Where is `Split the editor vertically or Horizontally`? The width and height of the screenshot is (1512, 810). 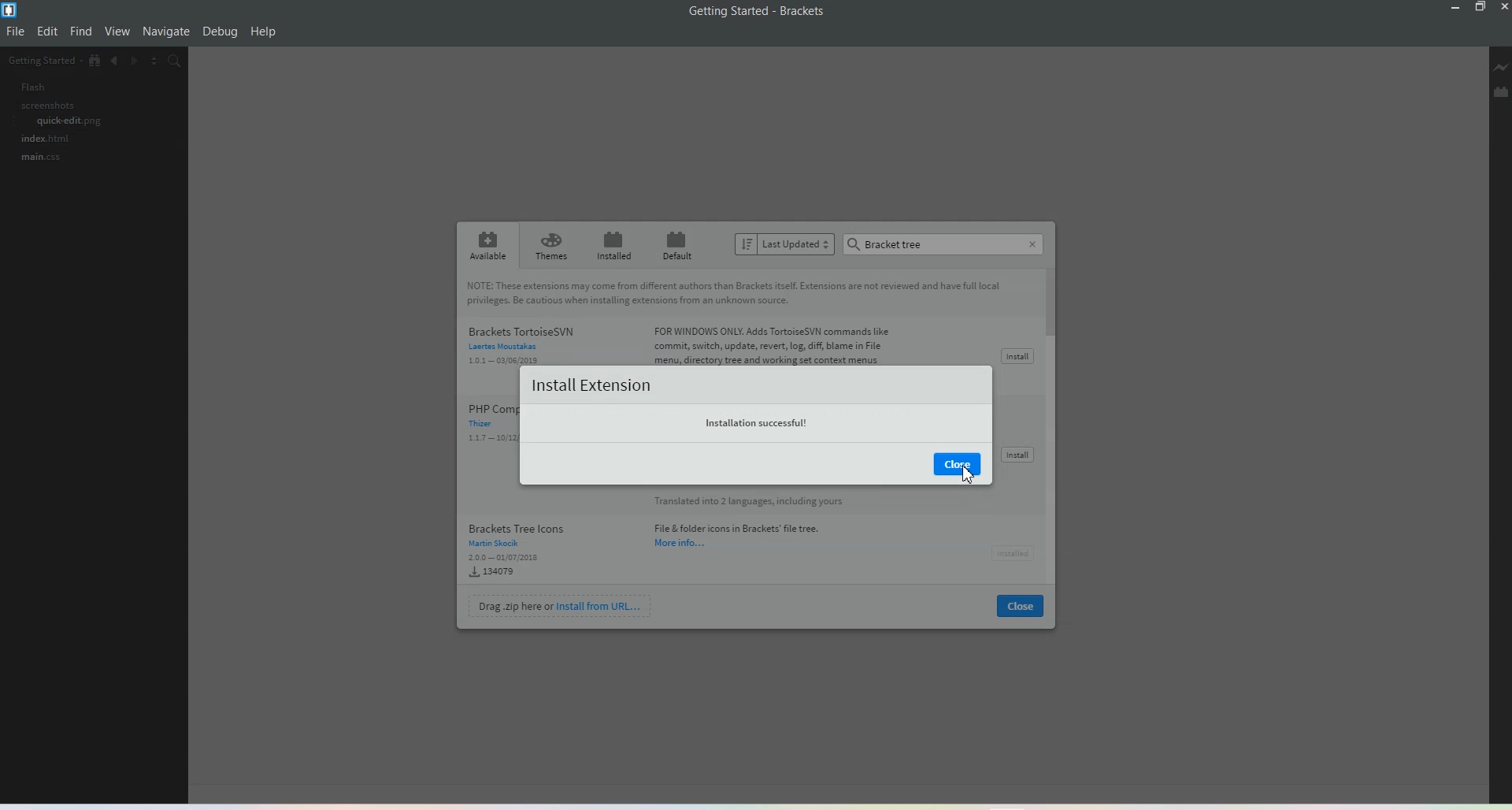 Split the editor vertically or Horizontally is located at coordinates (158, 62).